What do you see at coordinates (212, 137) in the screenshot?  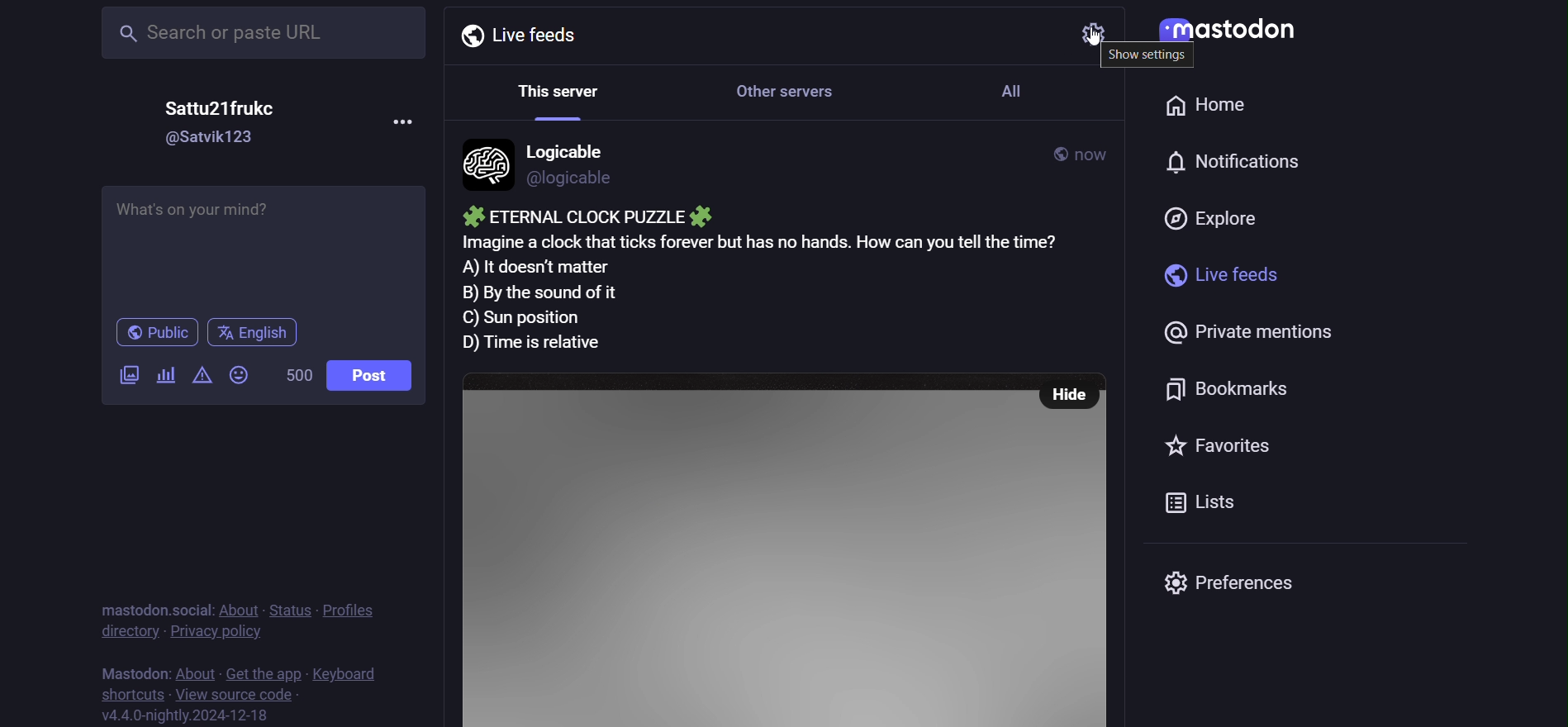 I see `@satvik123` at bounding box center [212, 137].